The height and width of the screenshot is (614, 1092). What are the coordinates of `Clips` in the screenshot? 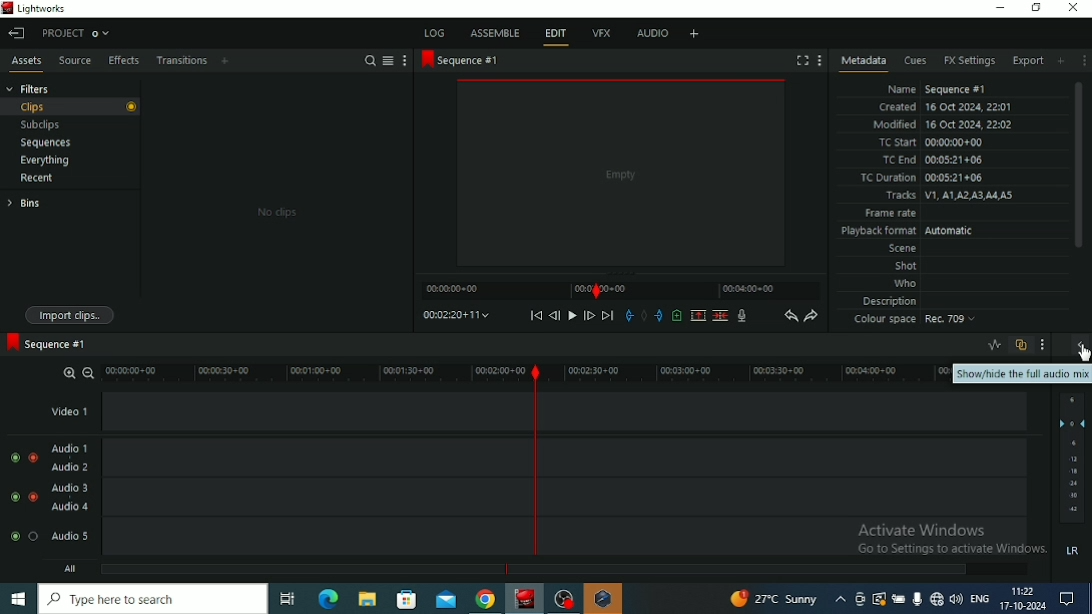 It's located at (69, 107).